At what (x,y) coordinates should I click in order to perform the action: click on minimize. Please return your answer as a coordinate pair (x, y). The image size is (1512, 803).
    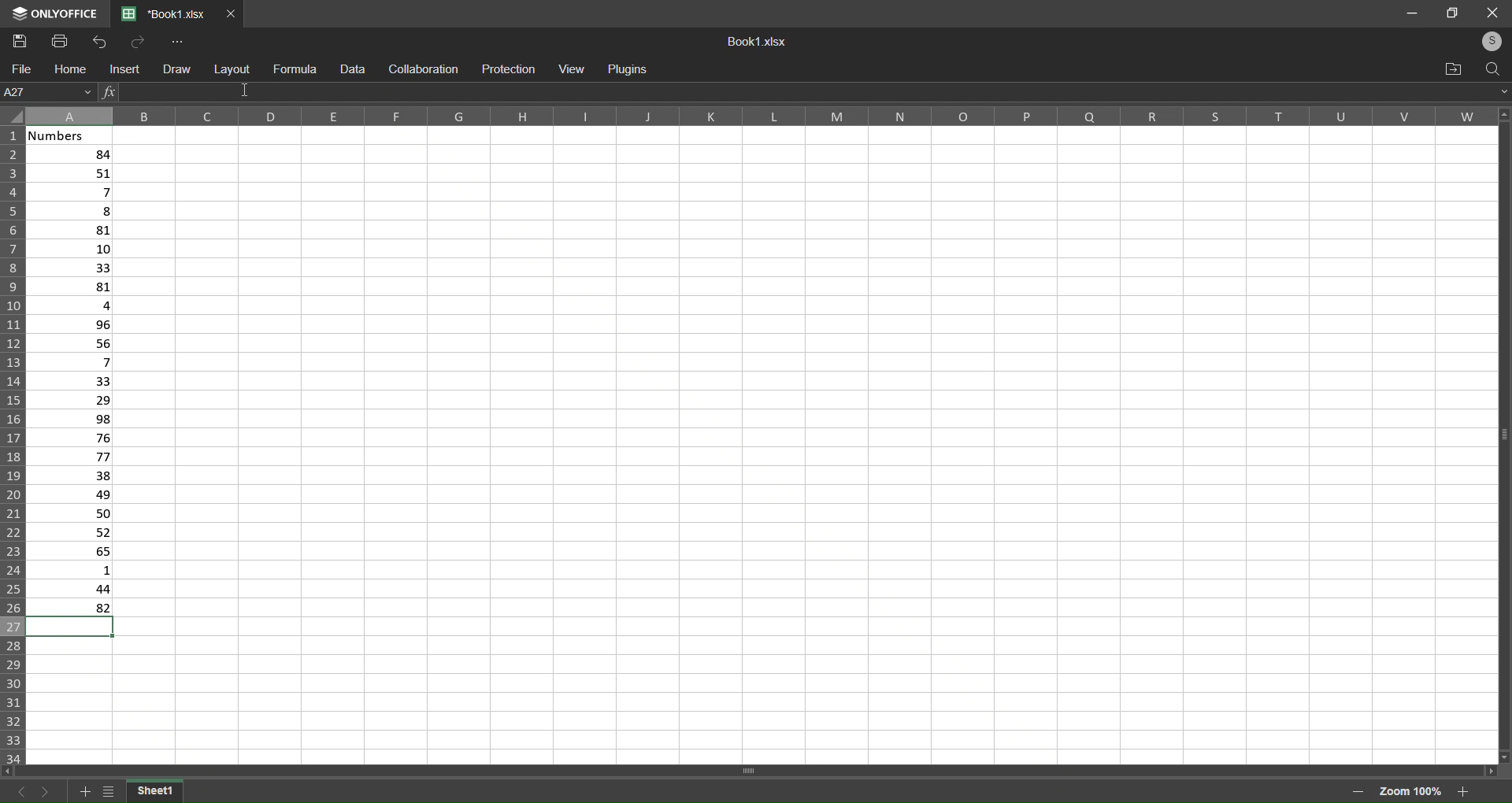
    Looking at the image, I should click on (1409, 12).